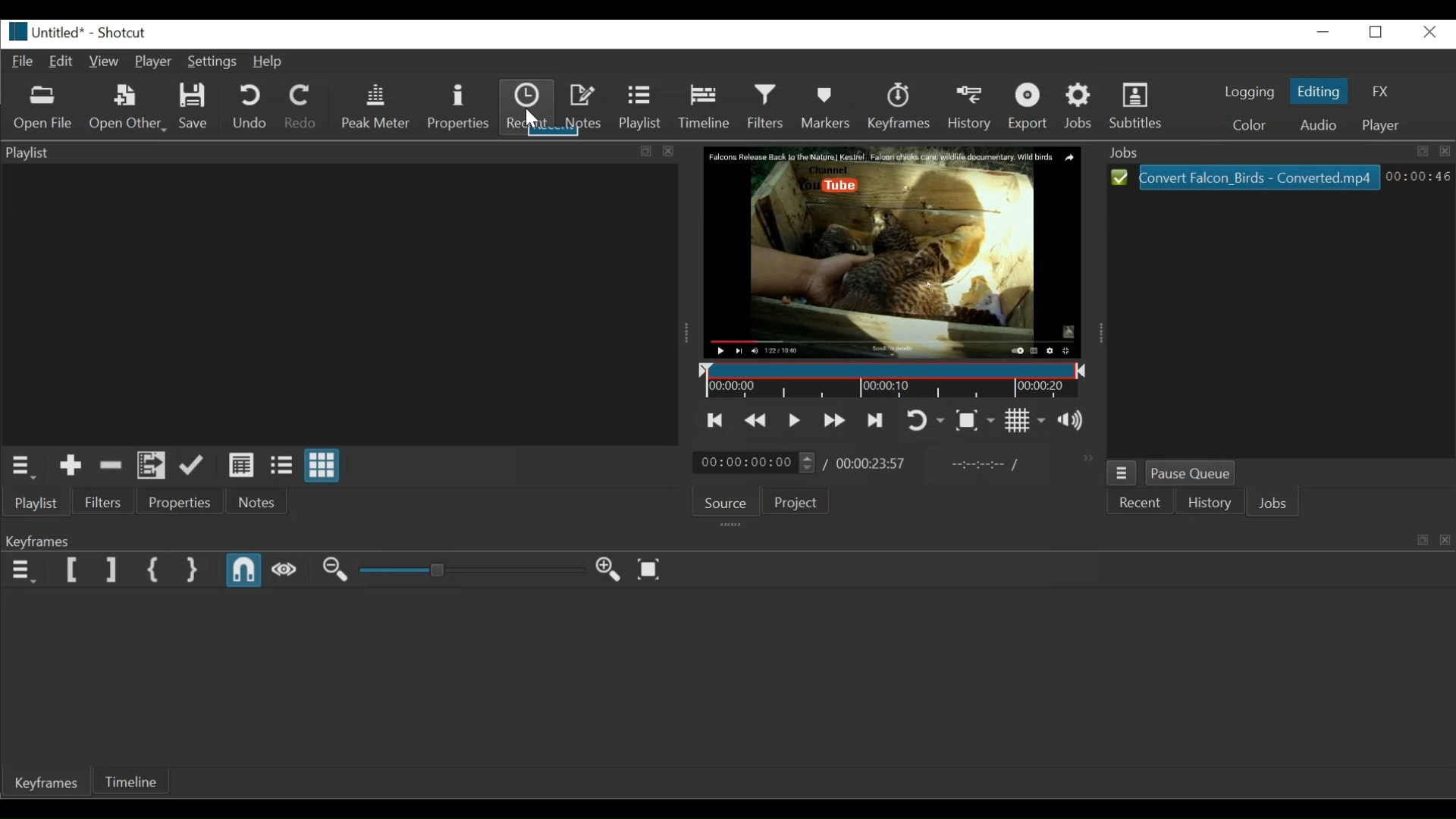  What do you see at coordinates (802, 500) in the screenshot?
I see `Project` at bounding box center [802, 500].